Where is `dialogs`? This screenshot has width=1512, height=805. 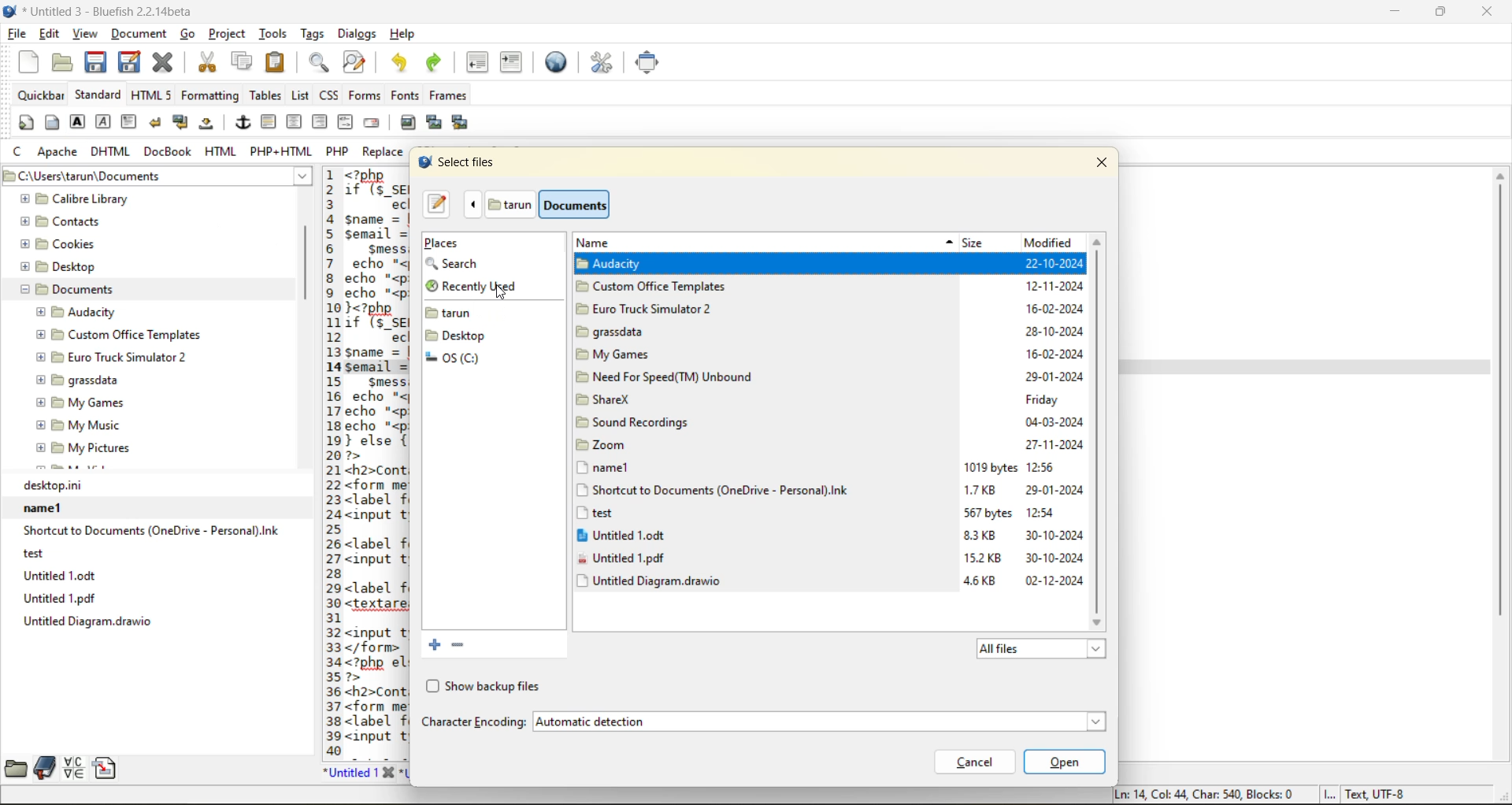
dialogs is located at coordinates (354, 35).